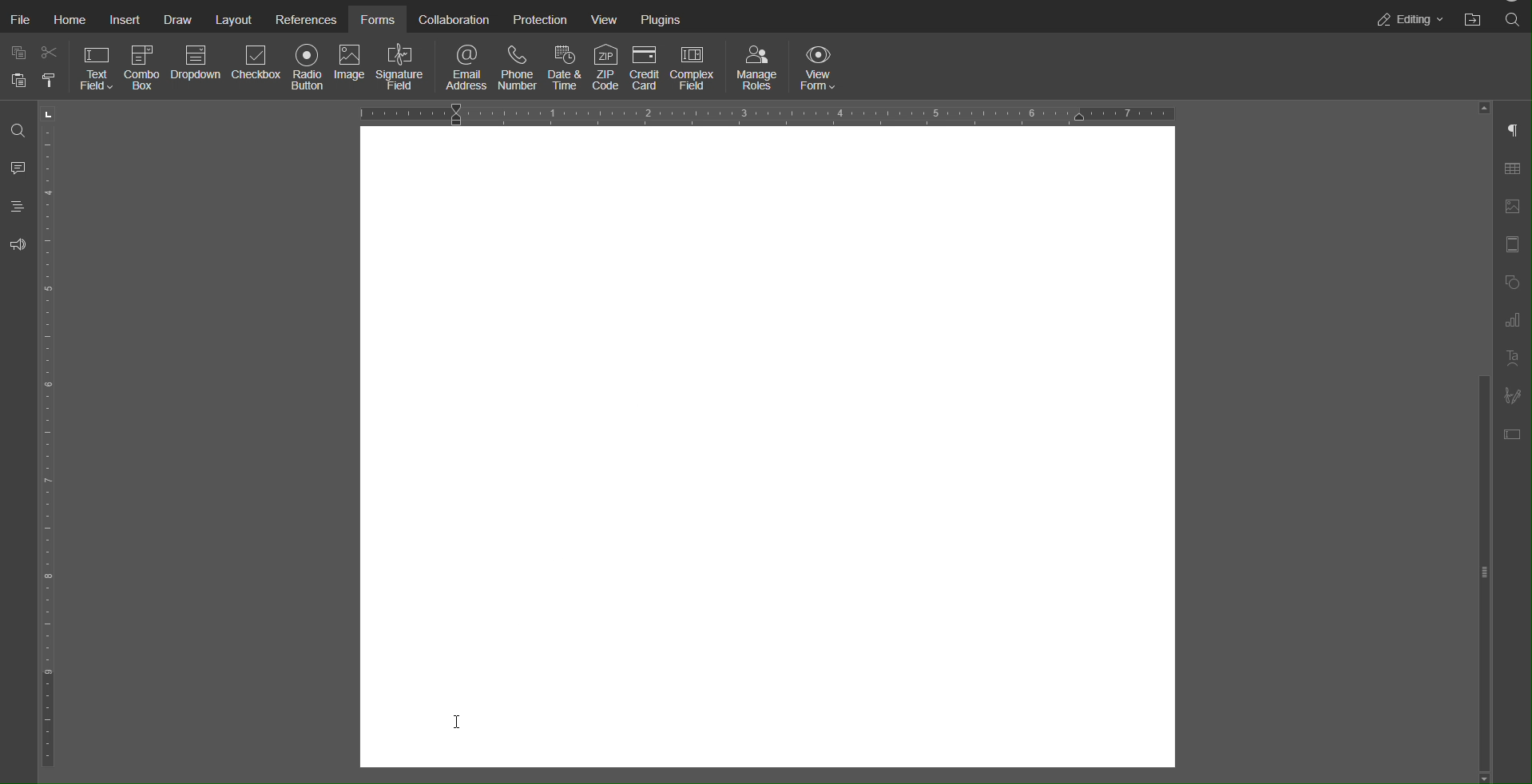 Image resolution: width=1532 pixels, height=784 pixels. Describe the element at coordinates (1512, 360) in the screenshot. I see `Text Art` at that location.